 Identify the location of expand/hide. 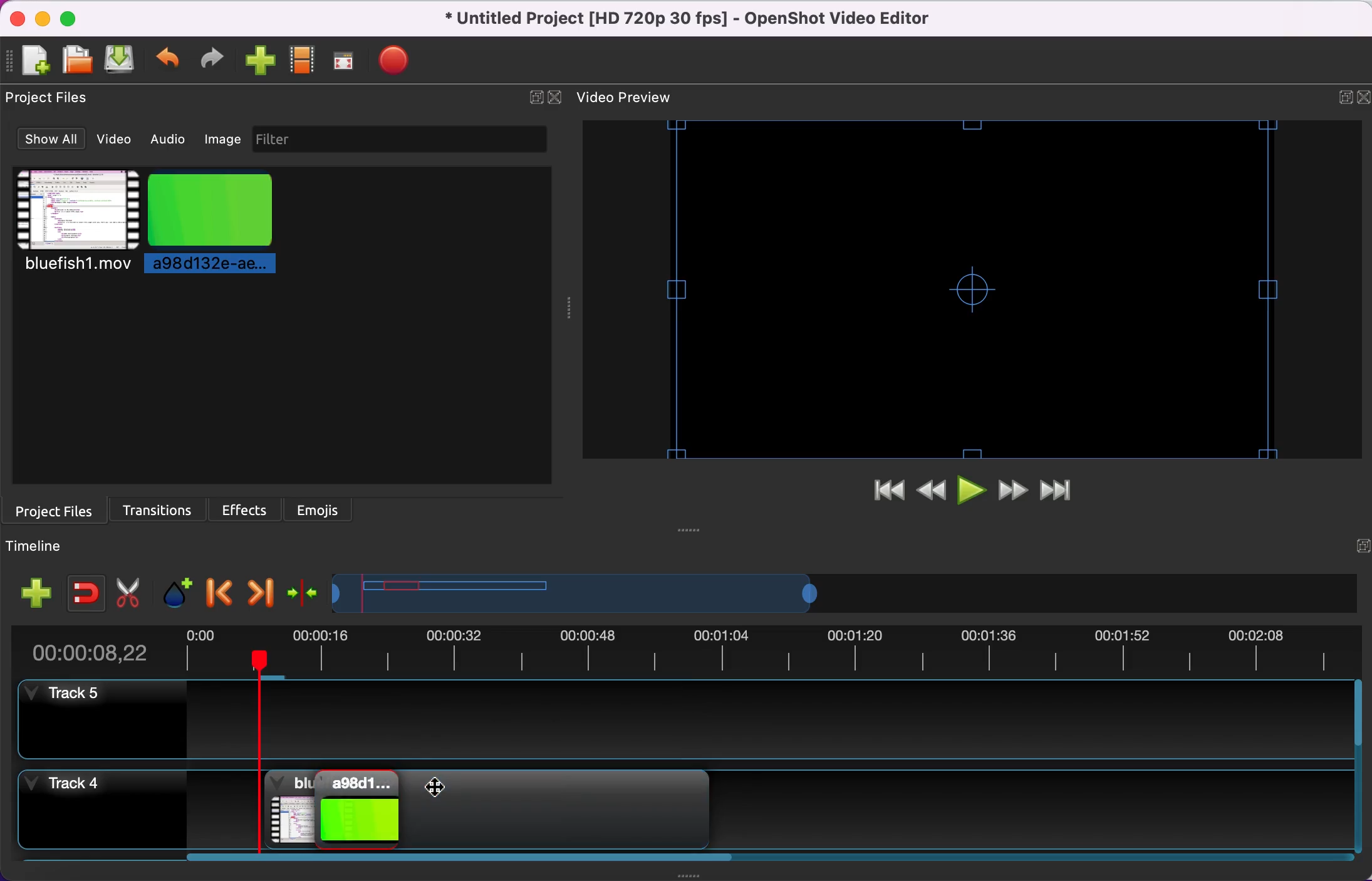
(533, 98).